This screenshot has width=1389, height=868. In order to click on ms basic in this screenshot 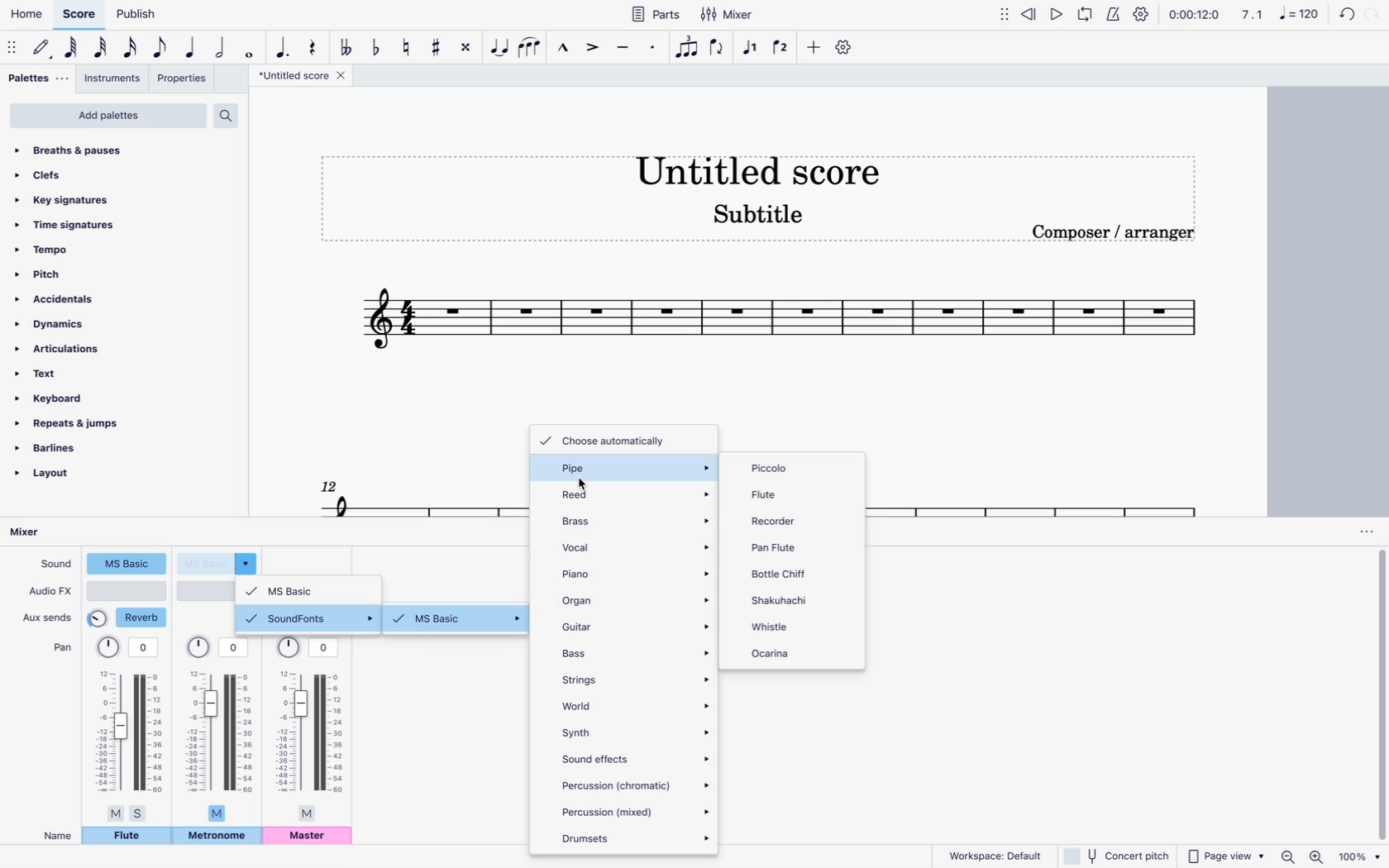, I will do `click(313, 589)`.